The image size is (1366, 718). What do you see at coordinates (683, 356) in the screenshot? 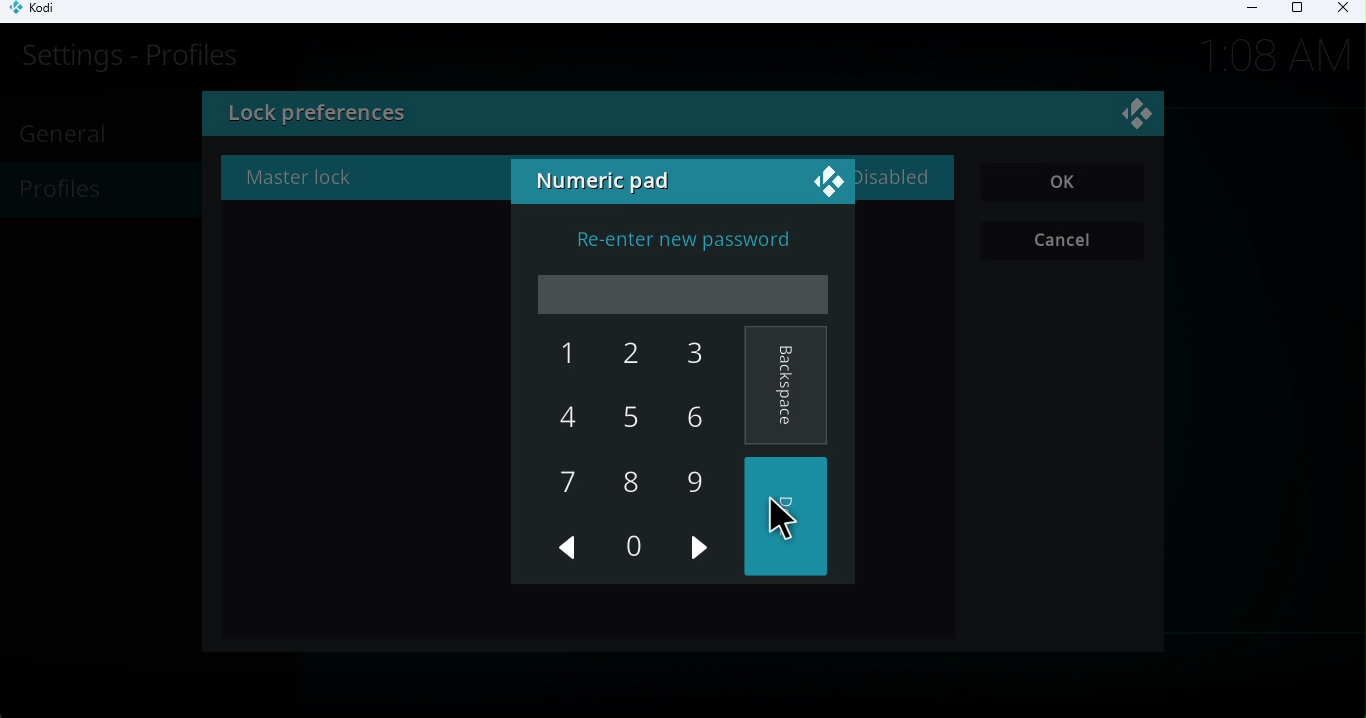
I see `3` at bounding box center [683, 356].